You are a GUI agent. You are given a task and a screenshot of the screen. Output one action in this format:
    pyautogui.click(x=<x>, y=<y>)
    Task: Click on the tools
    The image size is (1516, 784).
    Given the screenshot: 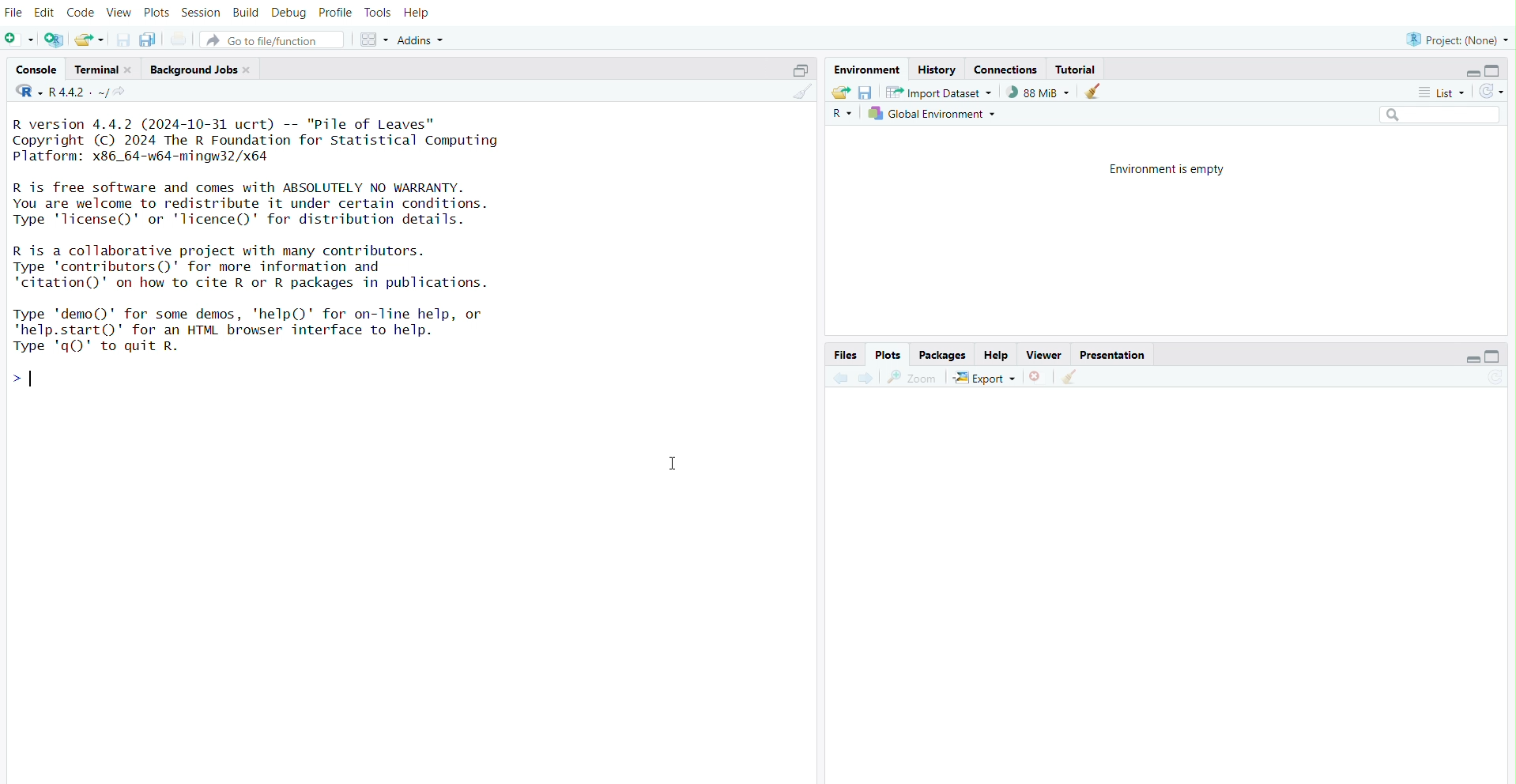 What is the action you would take?
    pyautogui.click(x=379, y=10)
    